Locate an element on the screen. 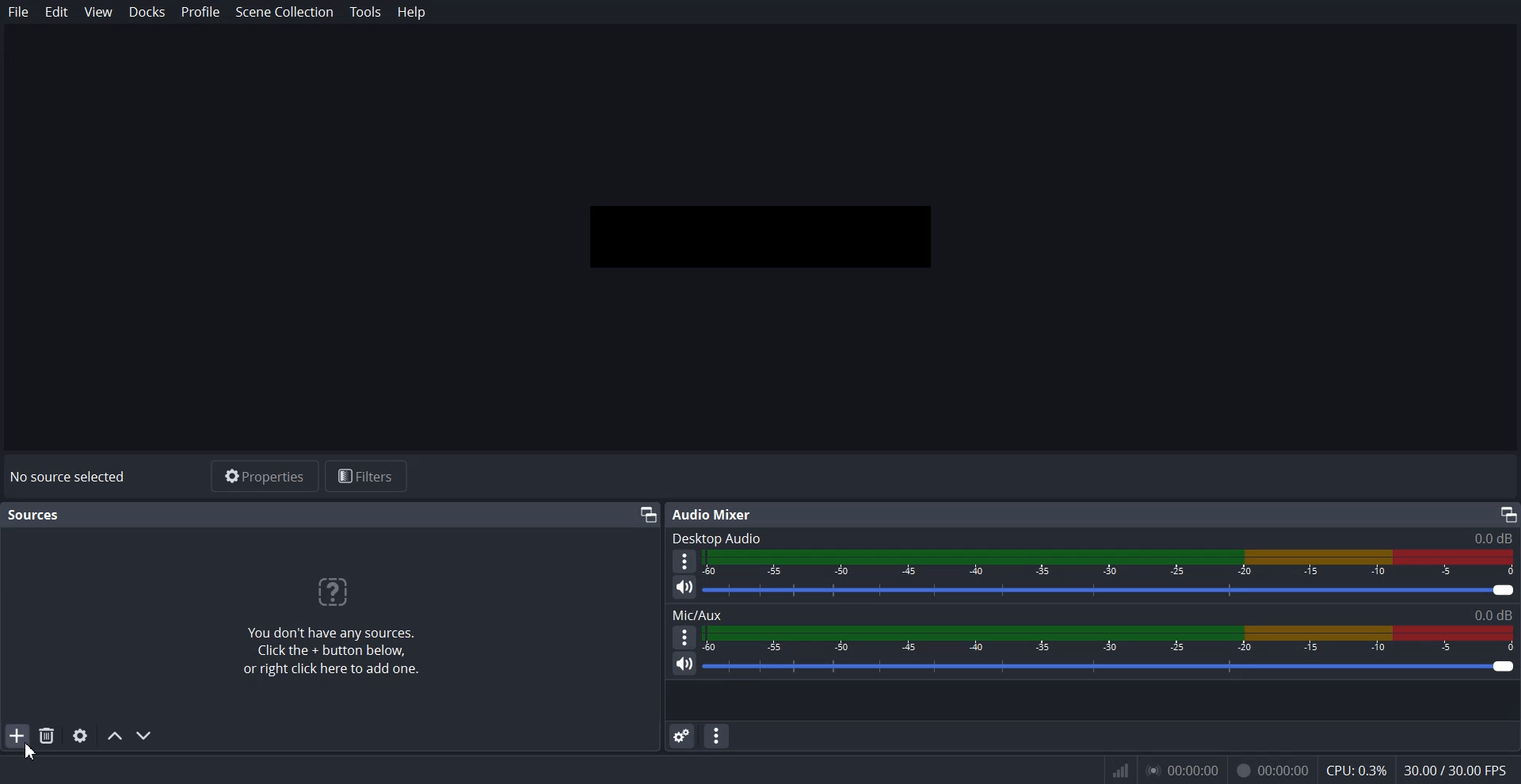  CPU: 0.3% is located at coordinates (1355, 772).